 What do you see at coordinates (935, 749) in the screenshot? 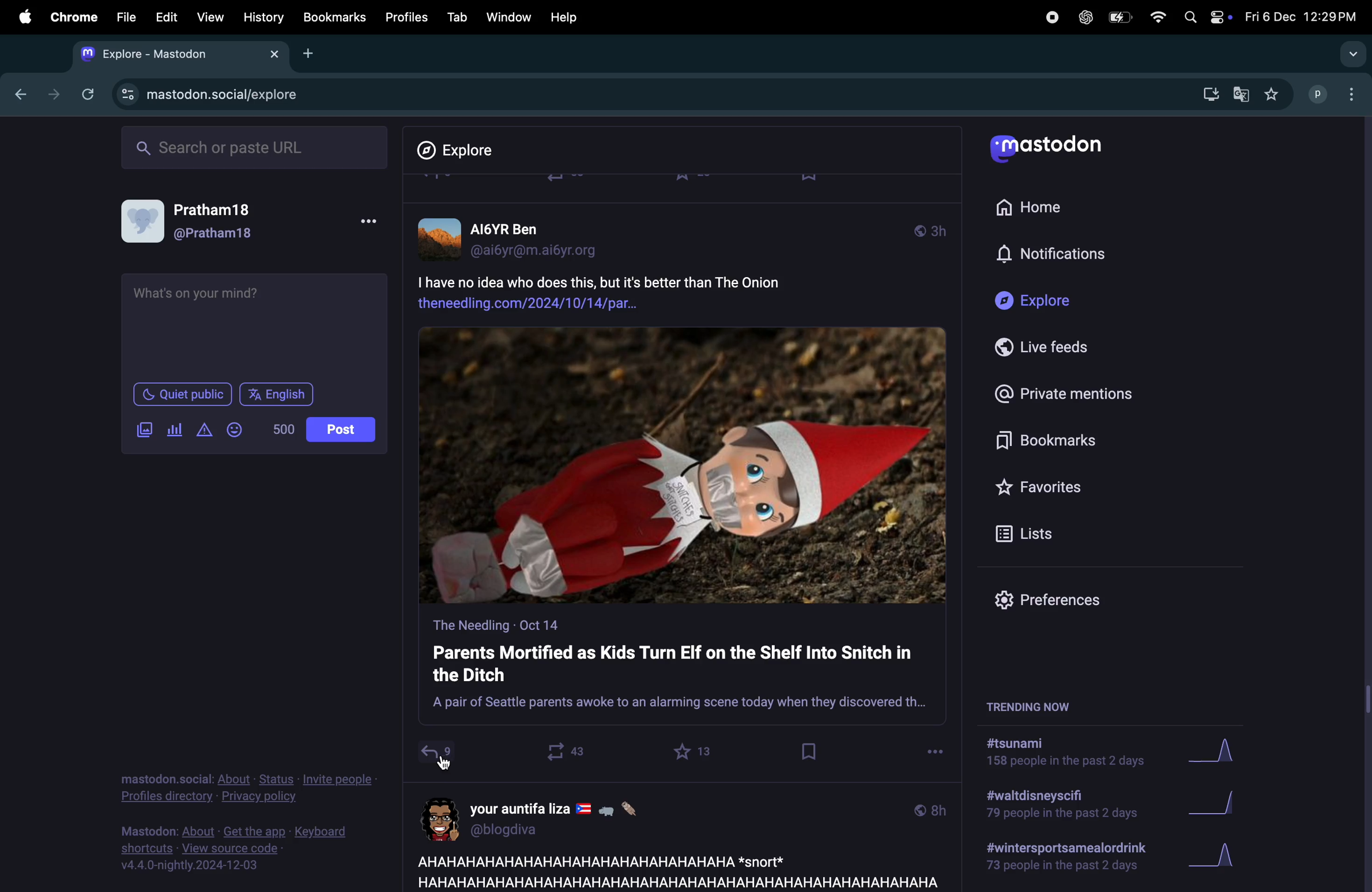
I see `options` at bounding box center [935, 749].